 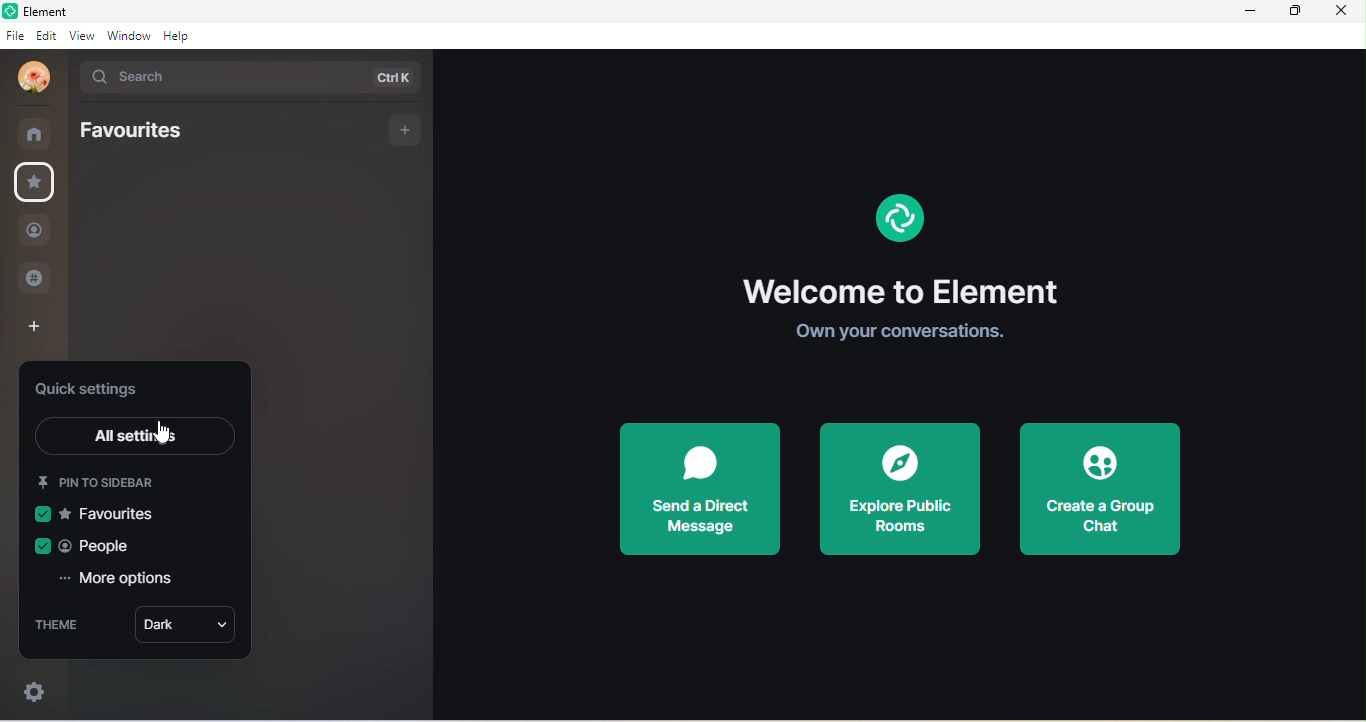 I want to click on public room, so click(x=36, y=280).